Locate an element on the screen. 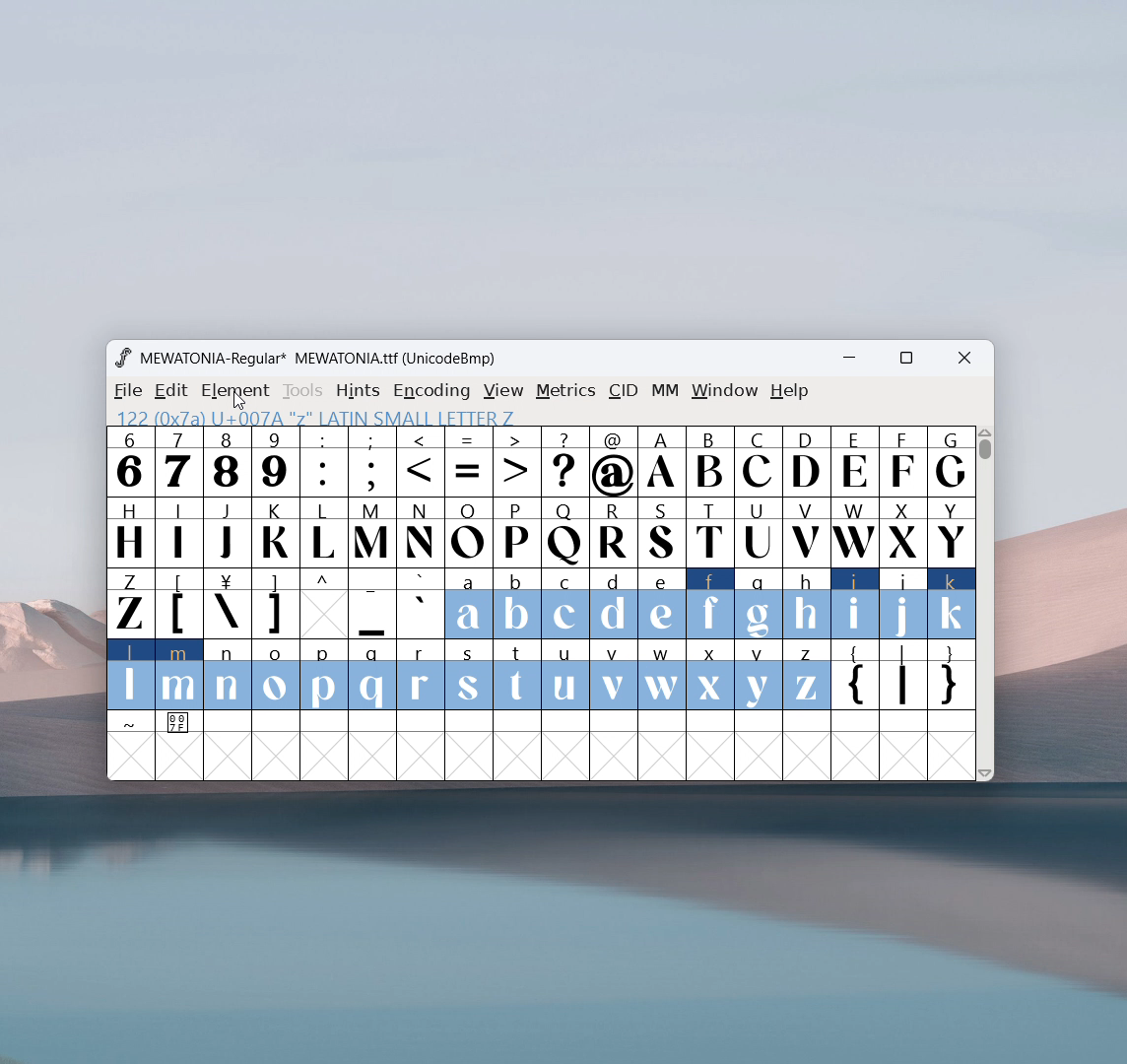 The height and width of the screenshot is (1064, 1127). T is located at coordinates (711, 533).